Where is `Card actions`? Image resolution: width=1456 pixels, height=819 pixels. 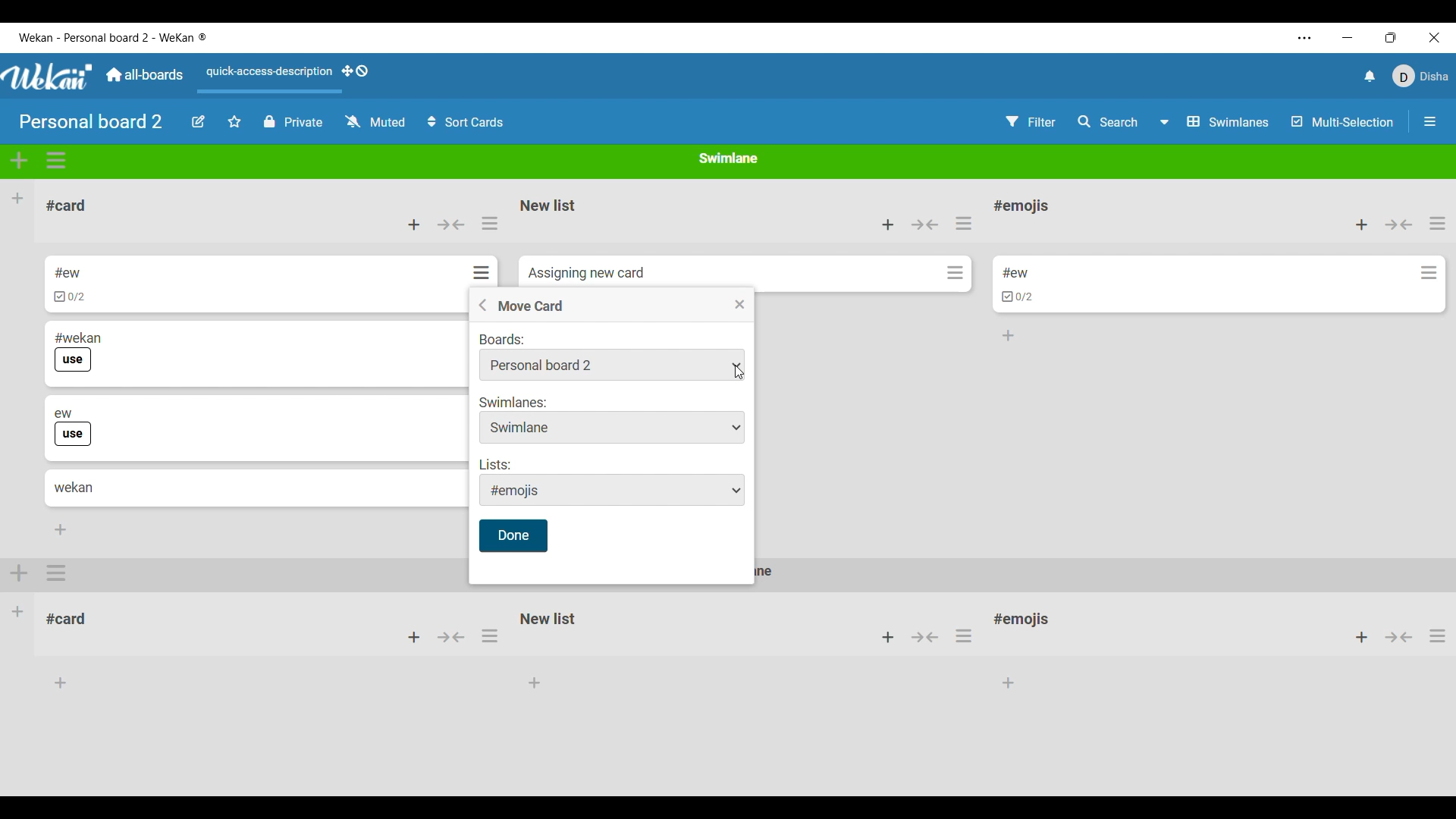
Card actions is located at coordinates (1429, 273).